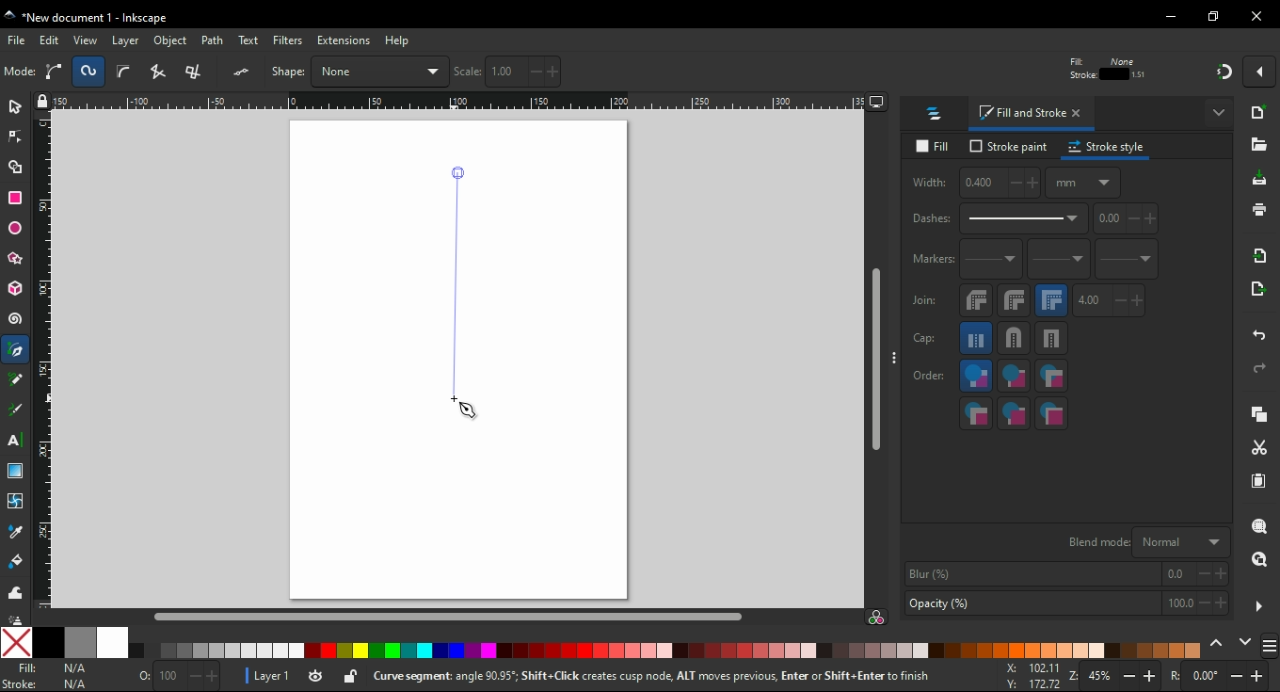 This screenshot has height=692, width=1280. I want to click on save, so click(1260, 179).